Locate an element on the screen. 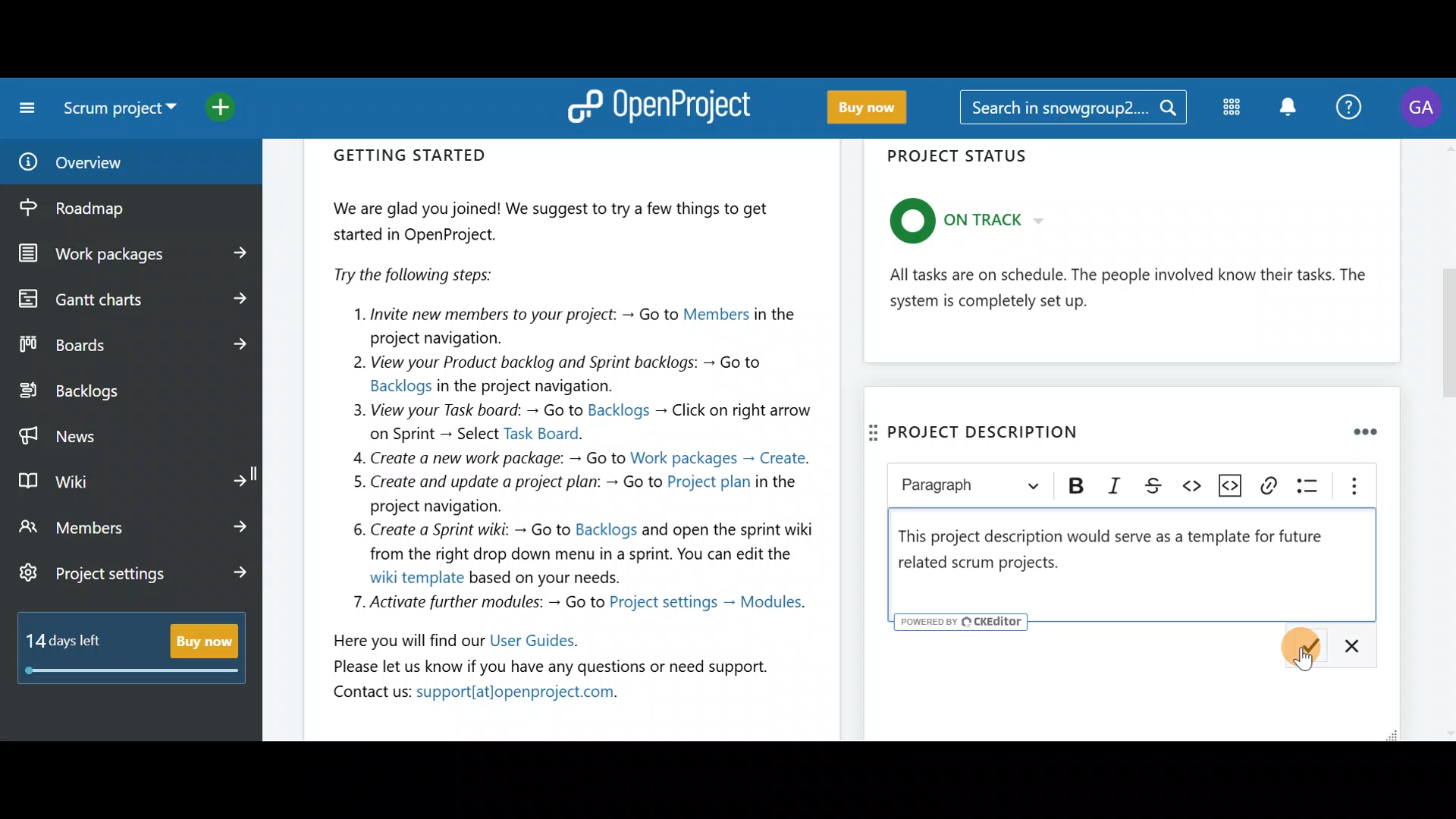 The height and width of the screenshot is (819, 1456). Buy now is located at coordinates (138, 657).